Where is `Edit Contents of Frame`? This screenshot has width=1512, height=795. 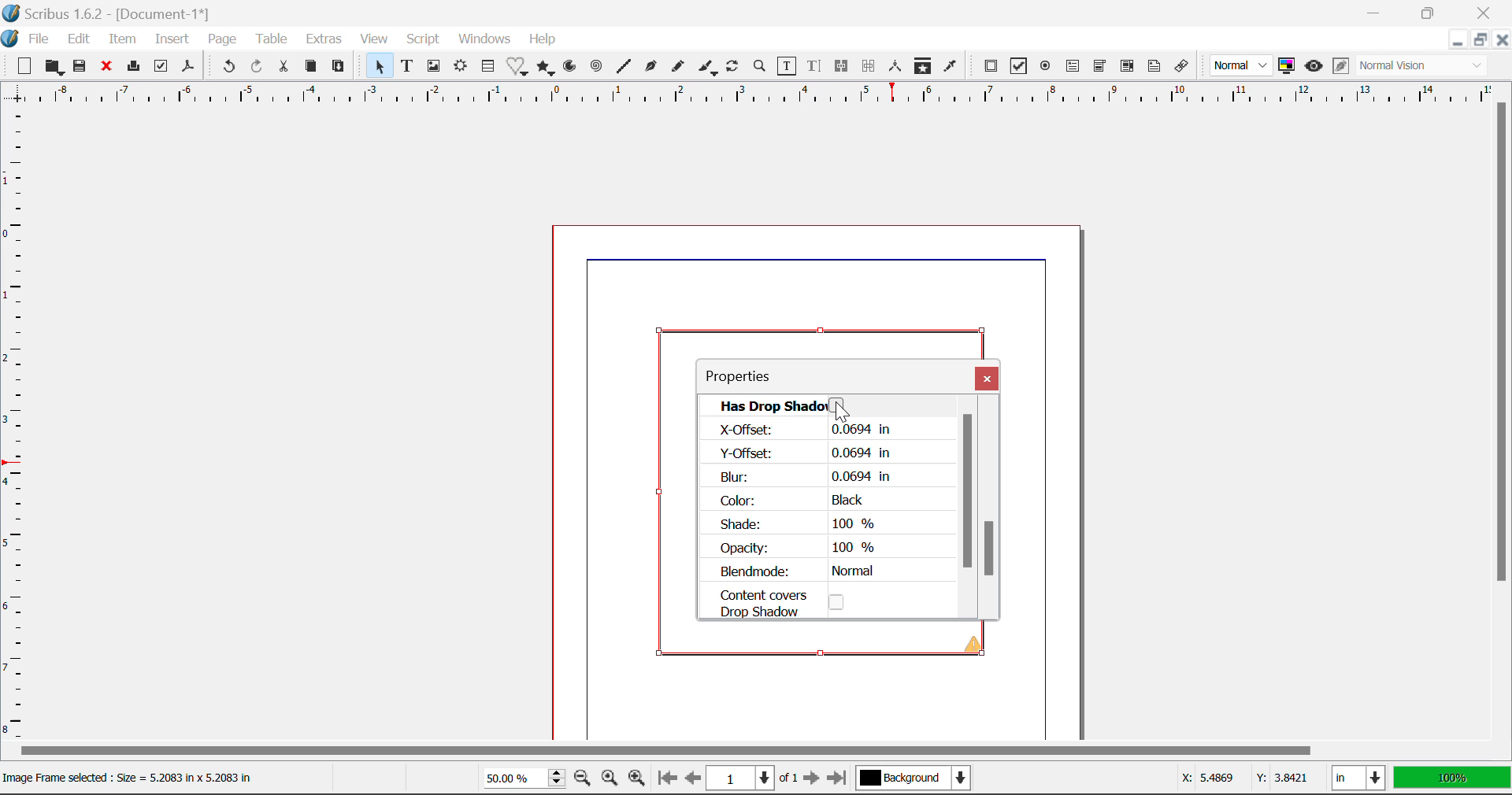 Edit Contents of Frame is located at coordinates (788, 68).